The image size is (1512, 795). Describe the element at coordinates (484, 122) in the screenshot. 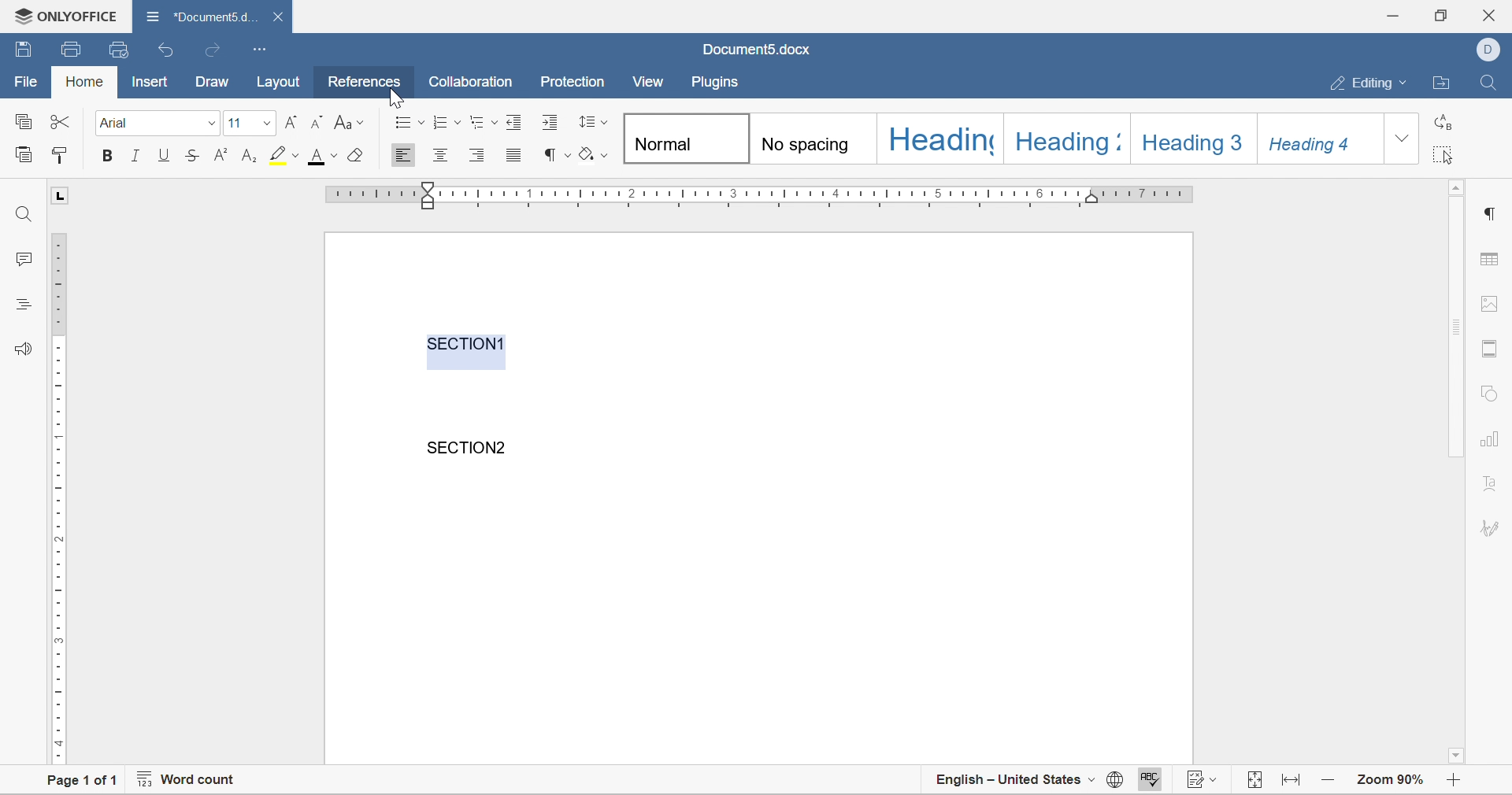

I see `multilevel list` at that location.